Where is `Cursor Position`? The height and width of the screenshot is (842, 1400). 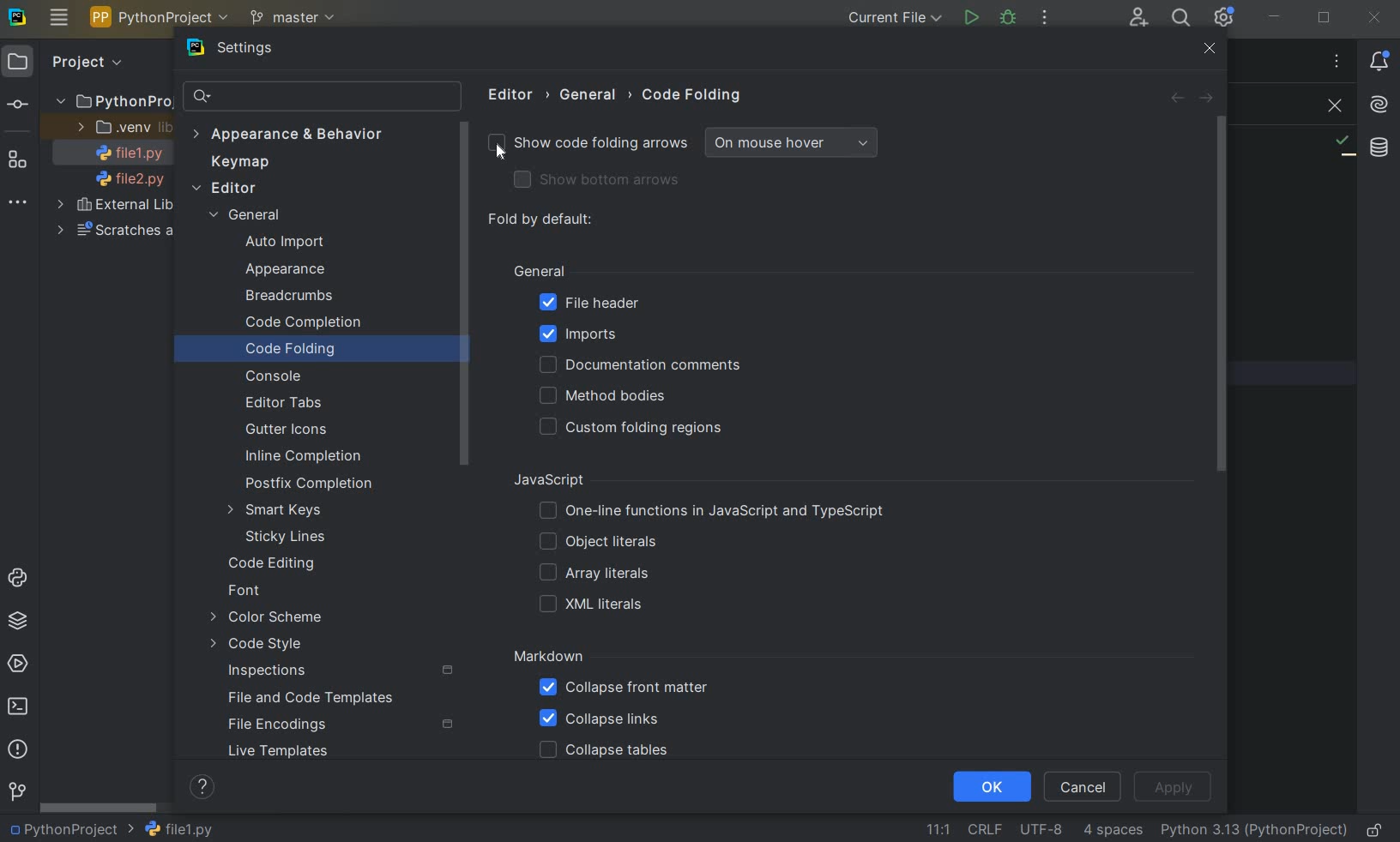
Cursor Position is located at coordinates (498, 152).